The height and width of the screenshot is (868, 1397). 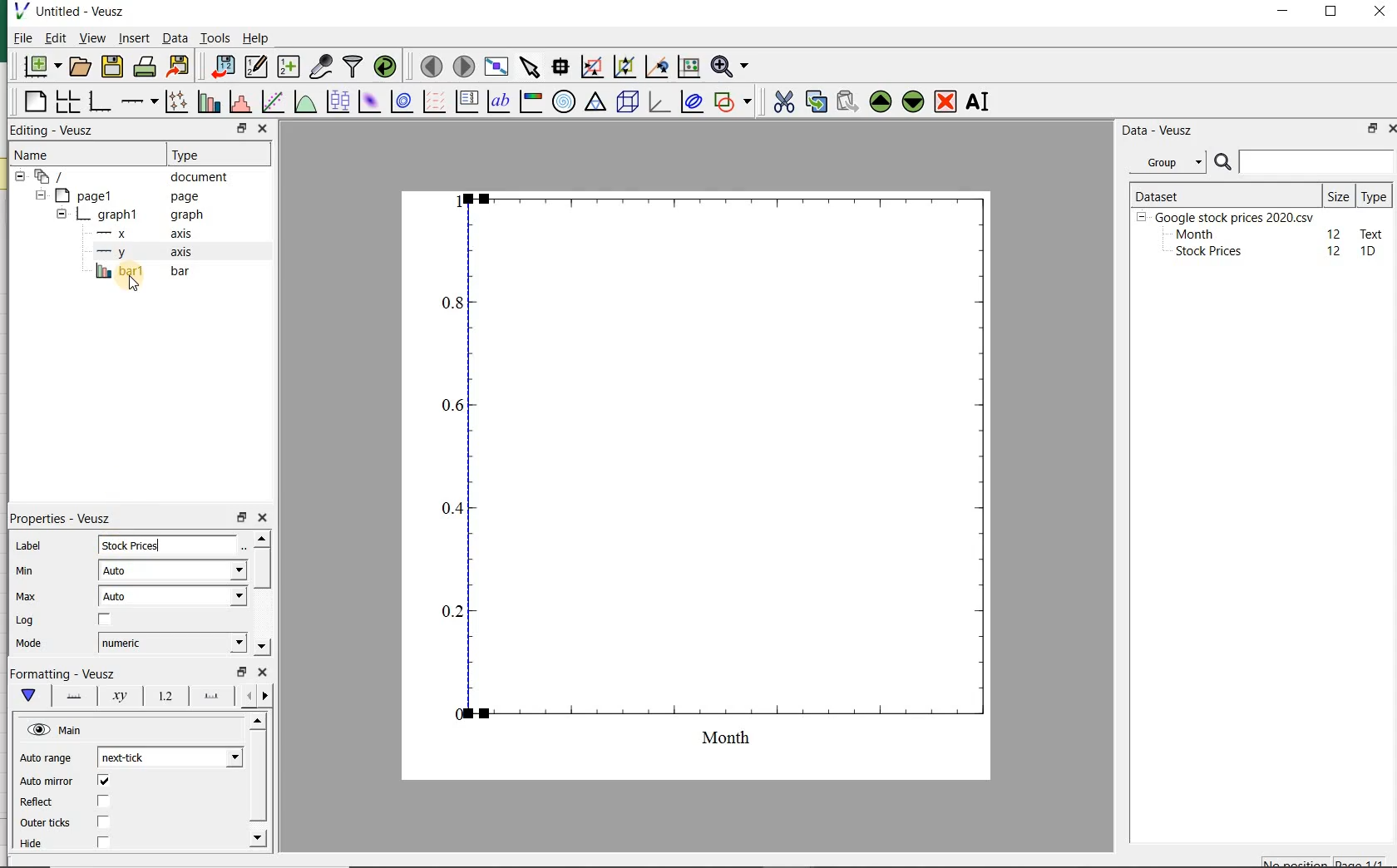 I want to click on click to reset graph axes, so click(x=687, y=67).